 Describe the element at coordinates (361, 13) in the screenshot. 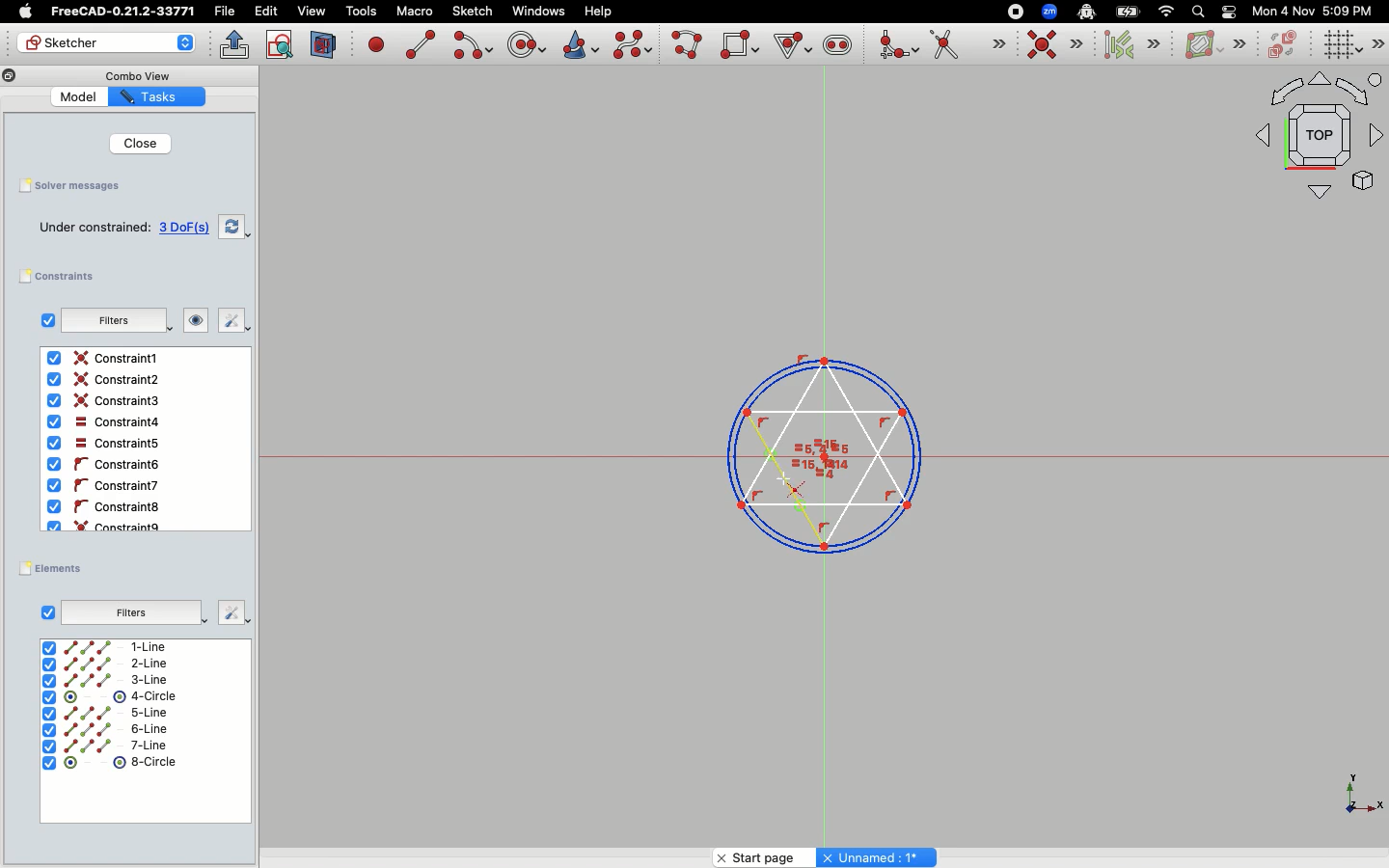

I see `Tools` at that location.